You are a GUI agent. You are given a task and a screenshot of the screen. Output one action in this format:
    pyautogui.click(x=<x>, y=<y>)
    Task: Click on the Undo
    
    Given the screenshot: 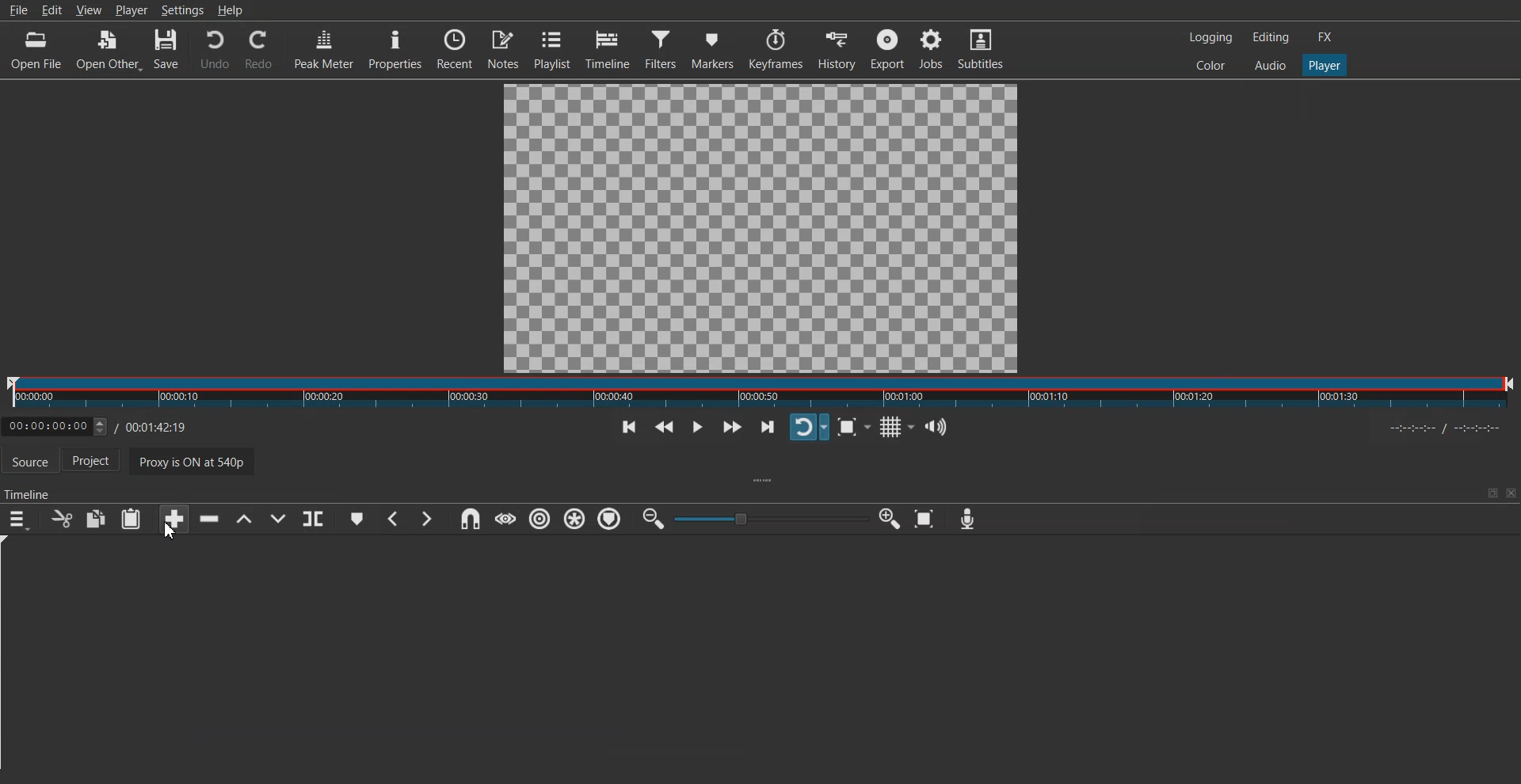 What is the action you would take?
    pyautogui.click(x=215, y=50)
    